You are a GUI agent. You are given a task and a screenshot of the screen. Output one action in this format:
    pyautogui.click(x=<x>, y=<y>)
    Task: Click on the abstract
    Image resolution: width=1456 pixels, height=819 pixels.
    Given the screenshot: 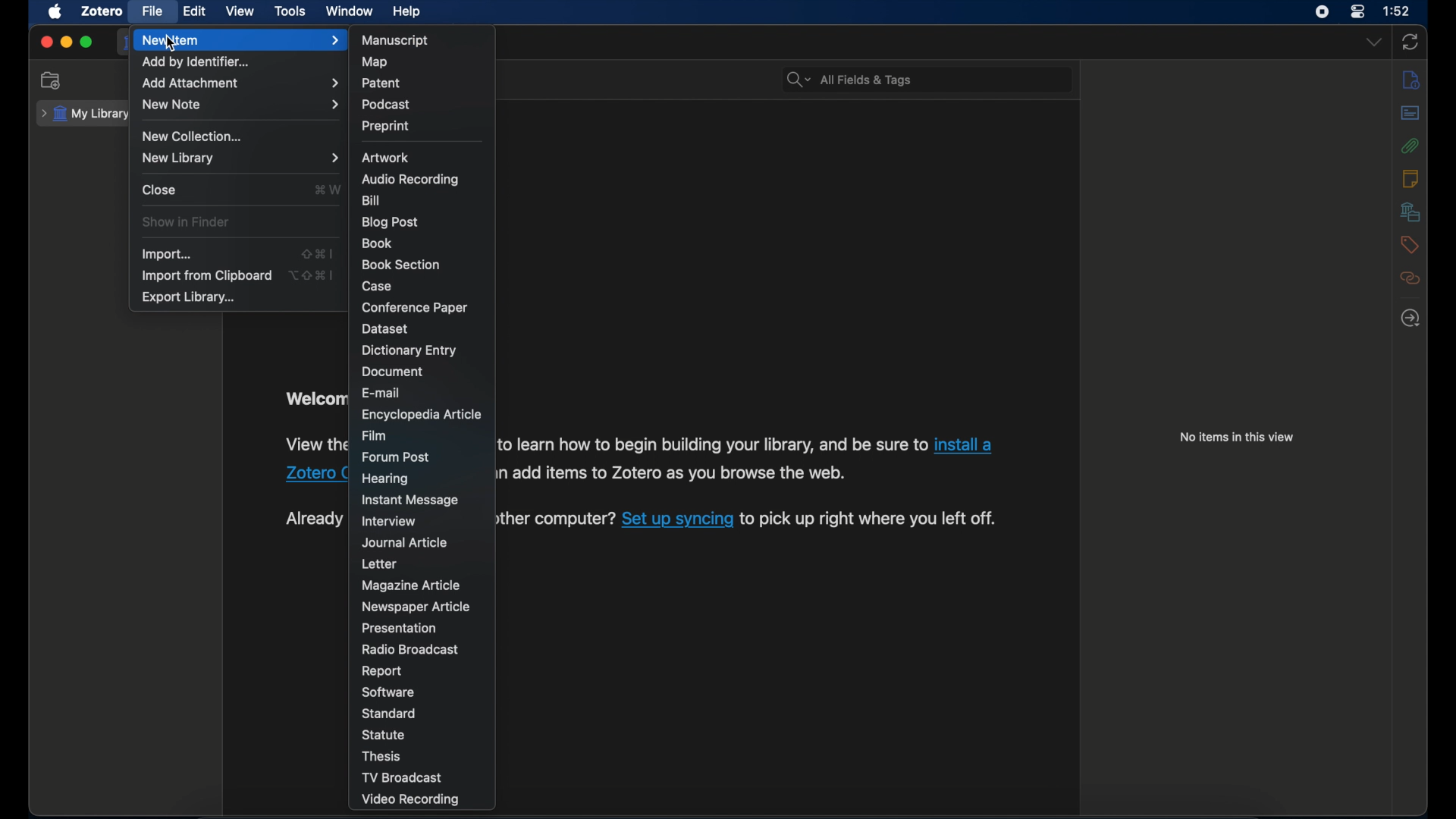 What is the action you would take?
    pyautogui.click(x=1410, y=112)
    